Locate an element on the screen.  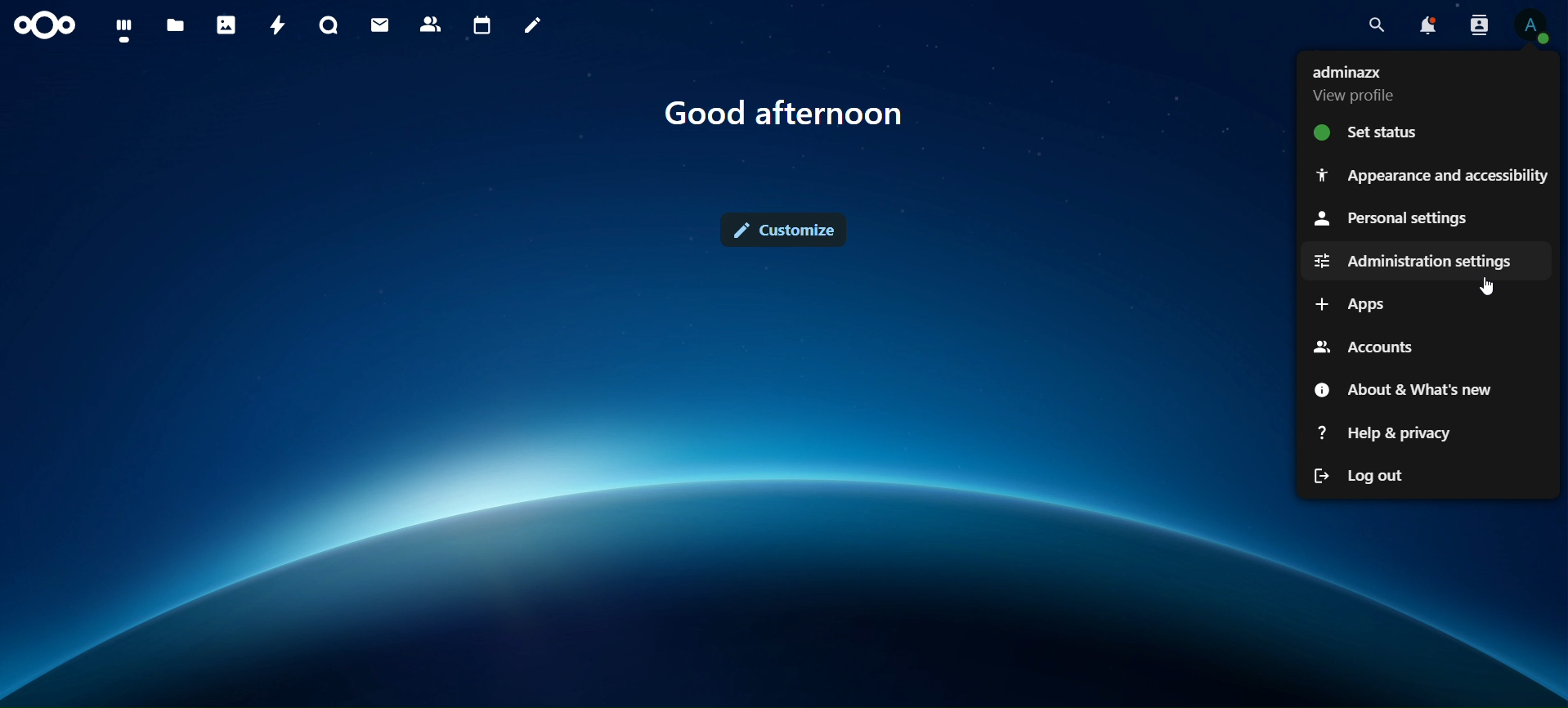
calendar is located at coordinates (483, 23).